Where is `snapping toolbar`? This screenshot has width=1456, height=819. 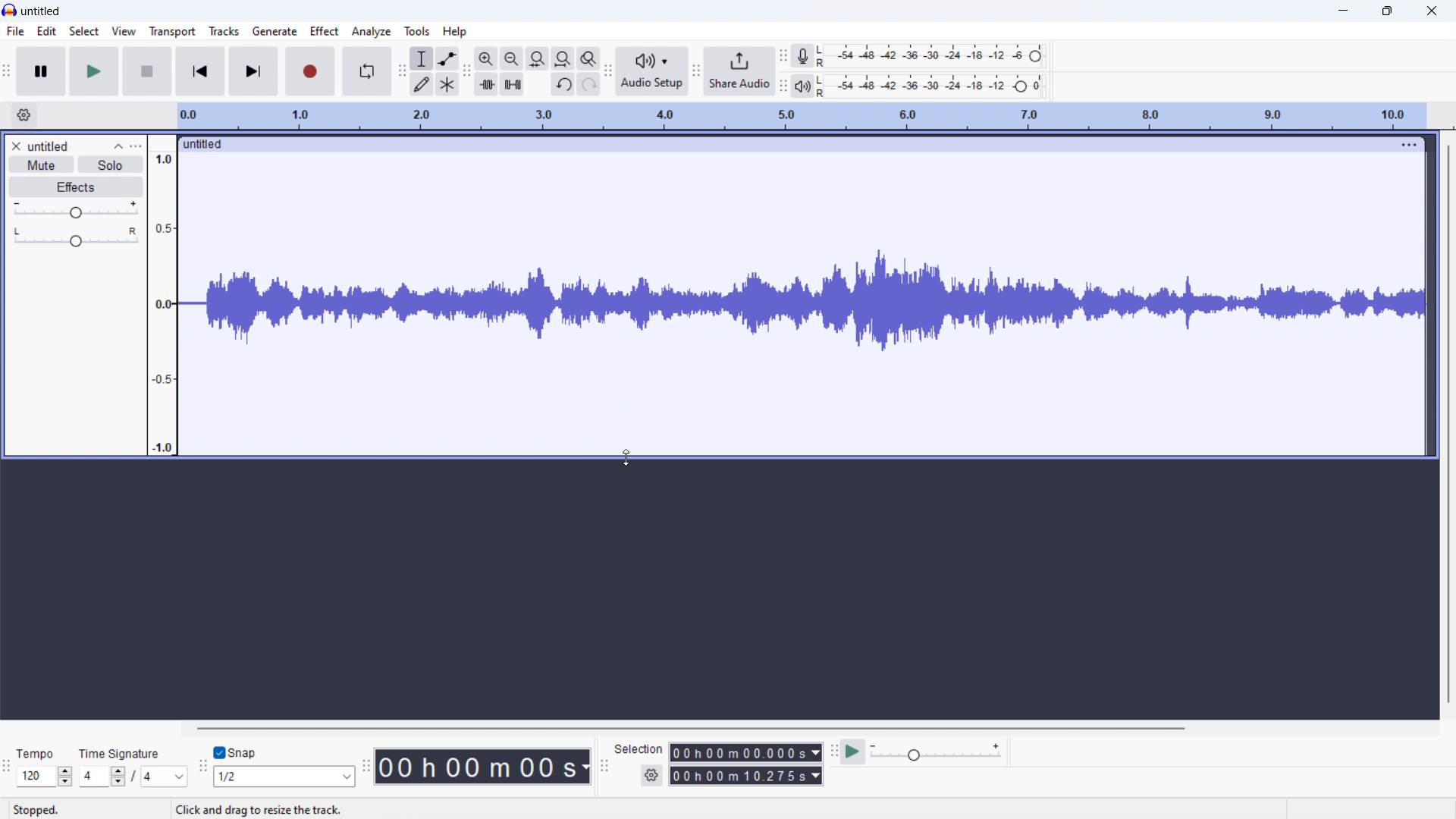 snapping toolbar is located at coordinates (202, 769).